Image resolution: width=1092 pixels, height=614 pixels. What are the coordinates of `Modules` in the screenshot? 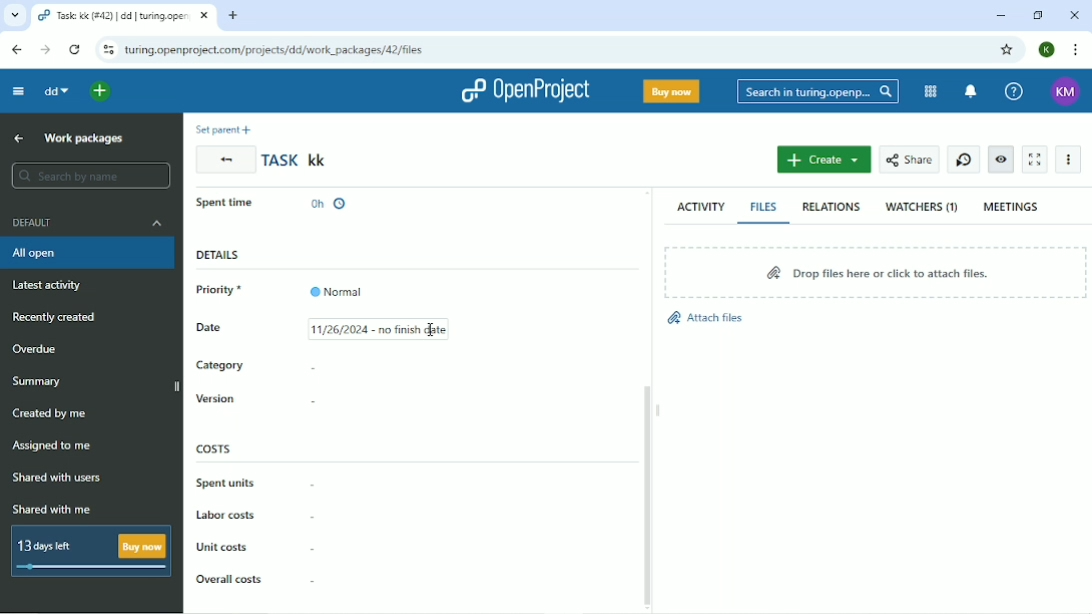 It's located at (928, 92).